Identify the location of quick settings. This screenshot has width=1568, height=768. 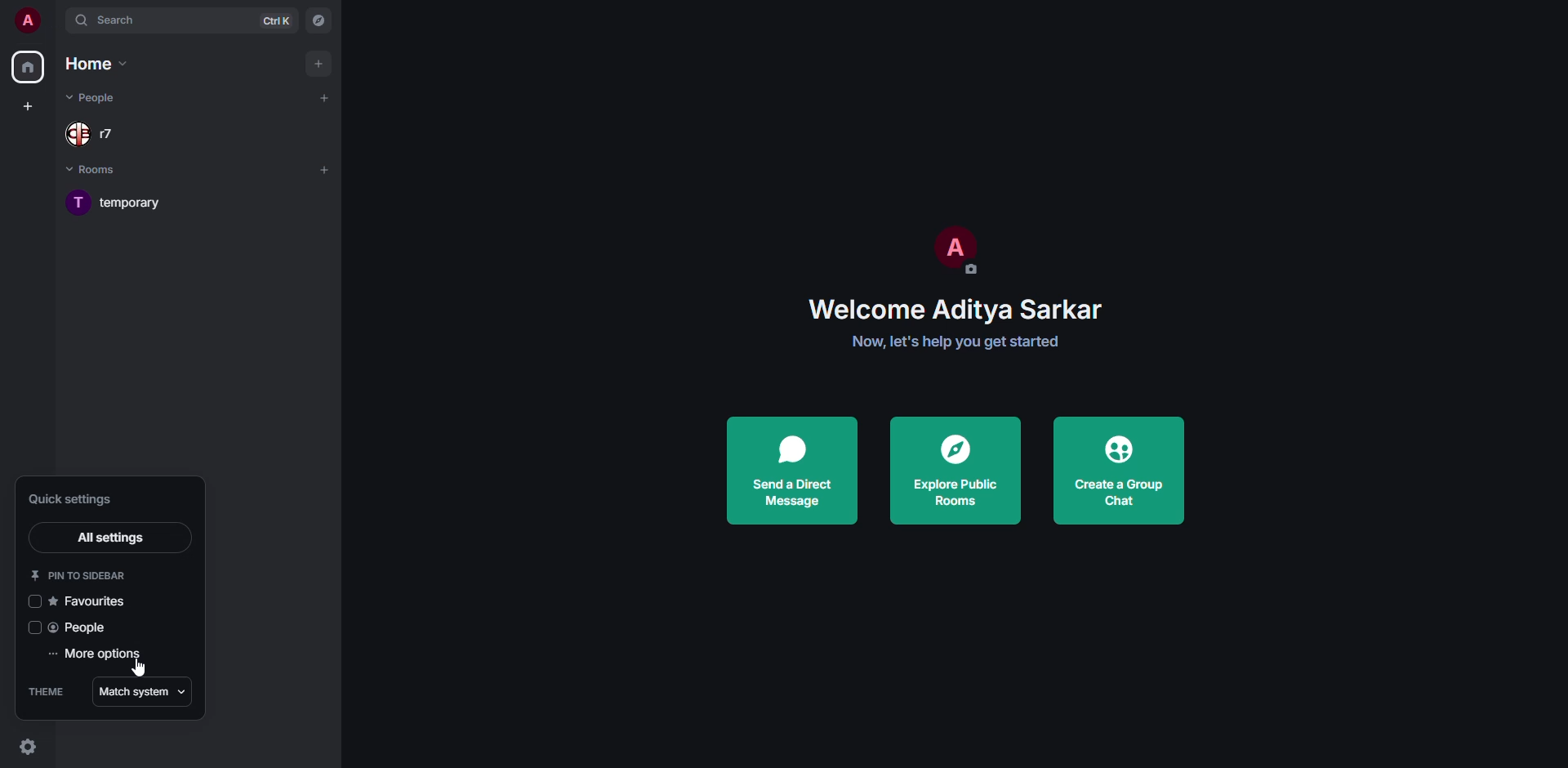
(28, 746).